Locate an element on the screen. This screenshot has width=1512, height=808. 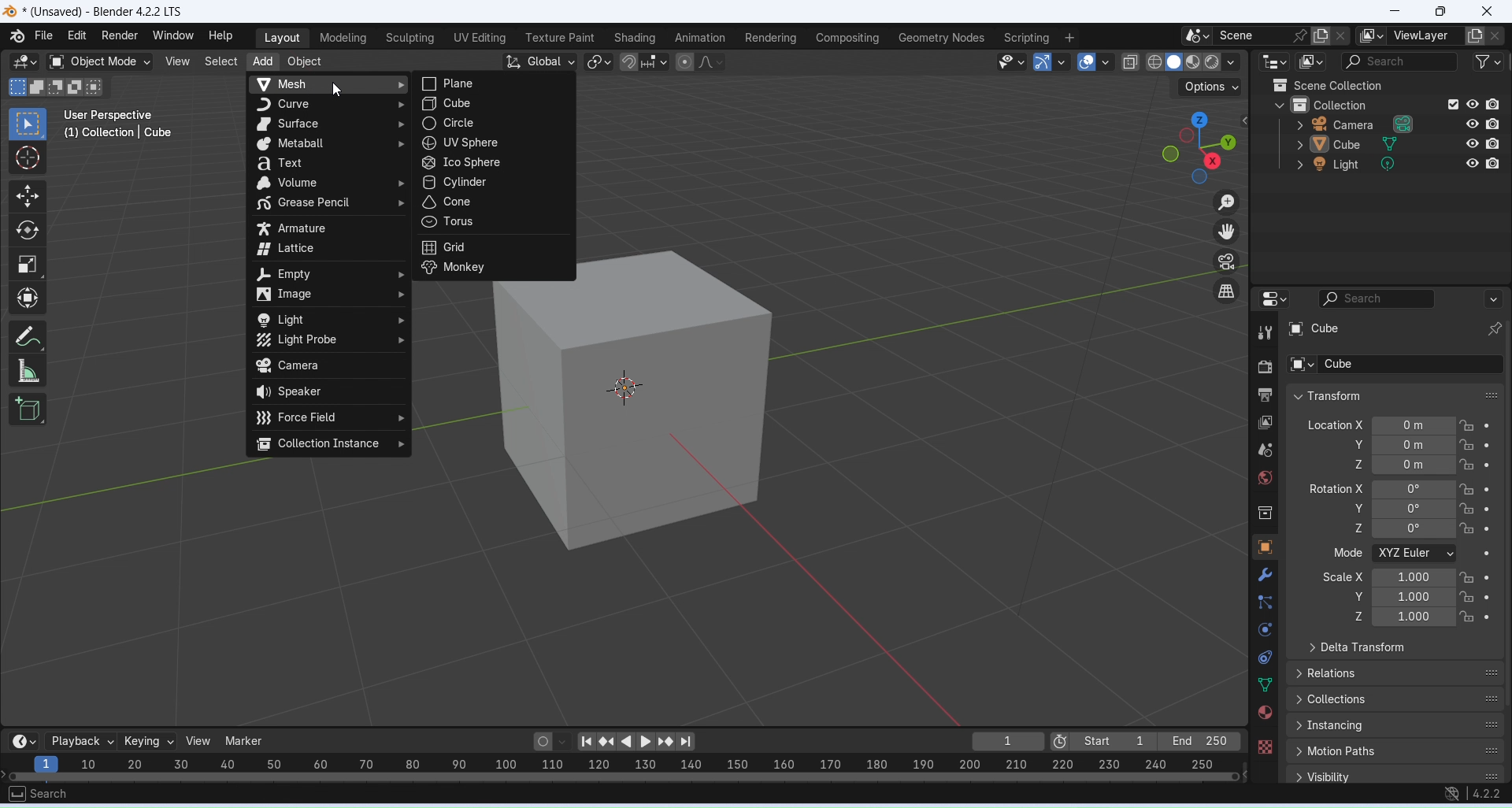
Modeling is located at coordinates (340, 39).